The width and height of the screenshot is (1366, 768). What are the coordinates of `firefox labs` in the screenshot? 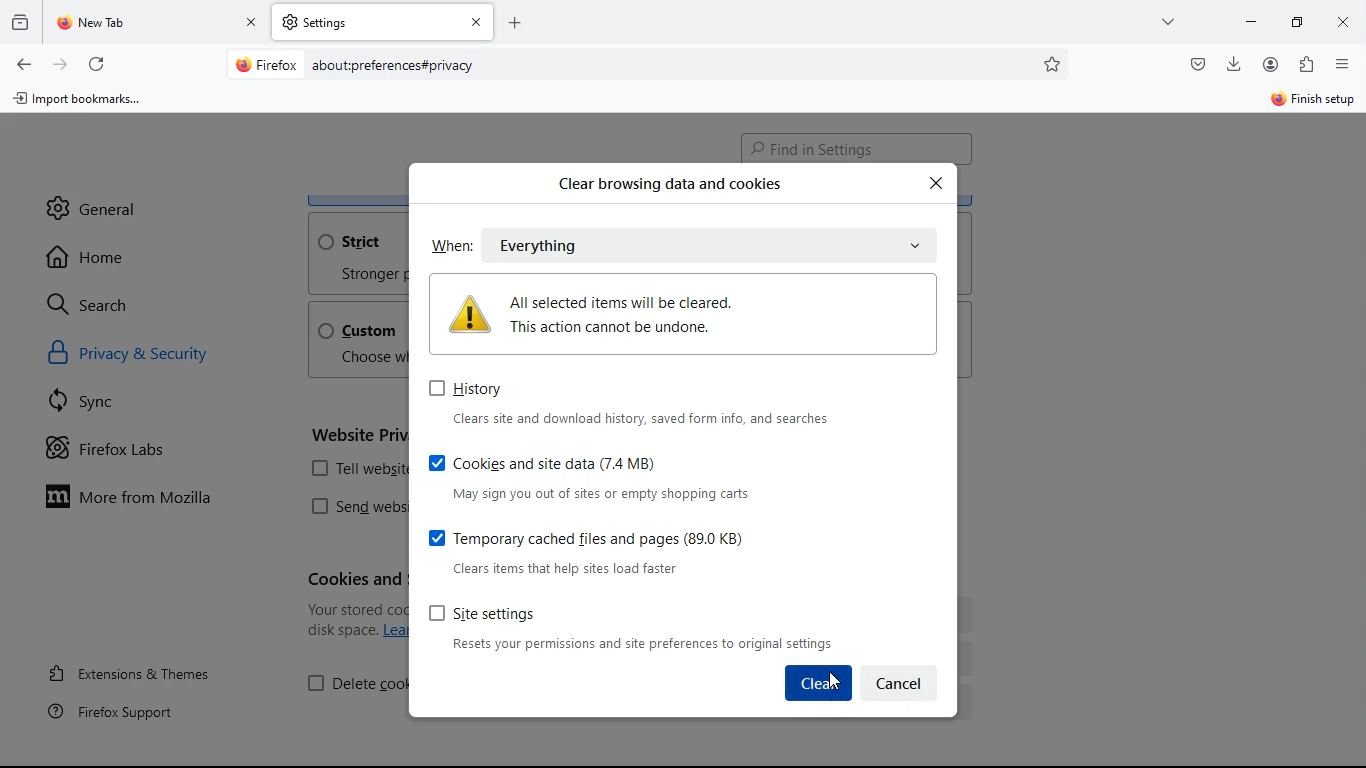 It's located at (126, 453).